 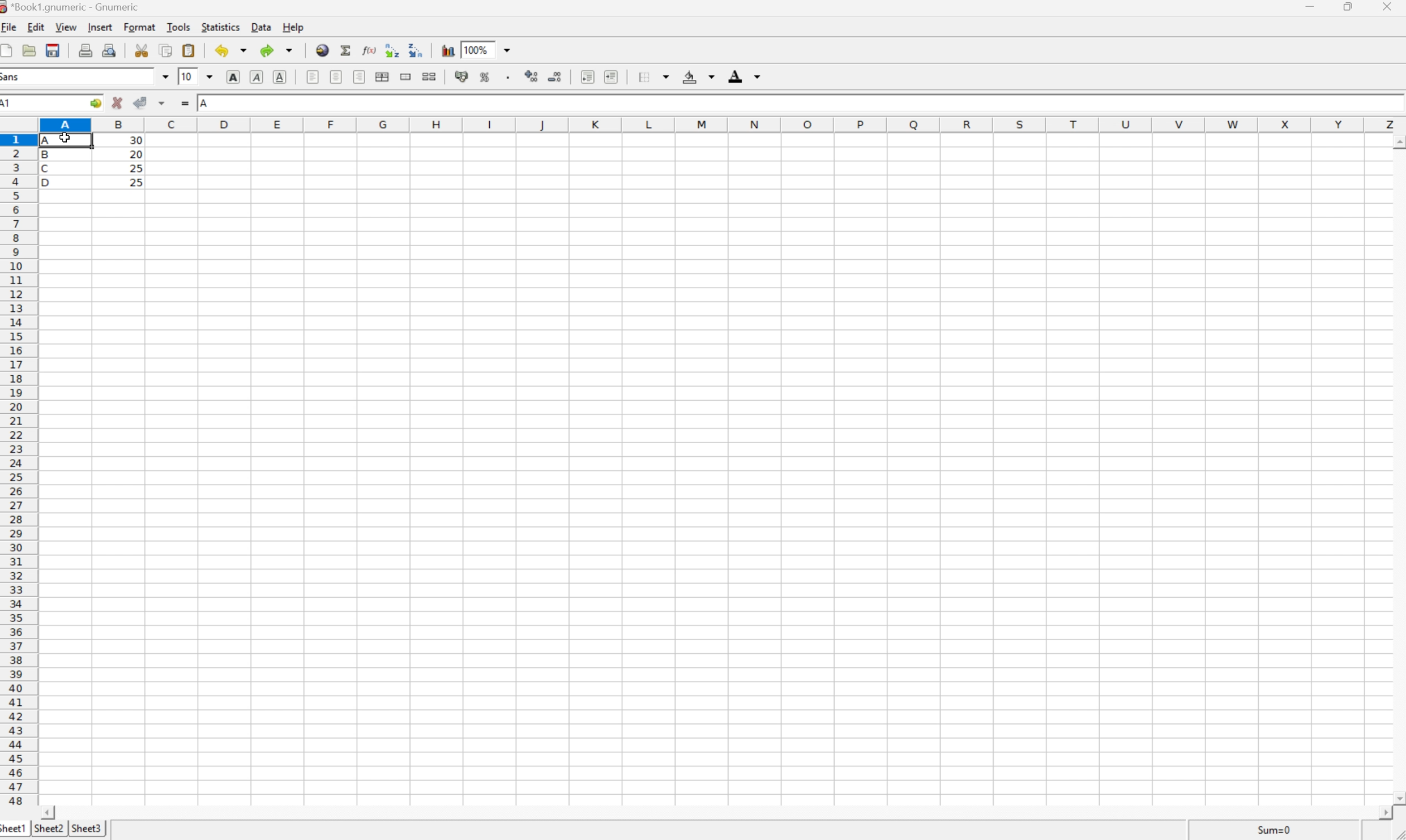 I want to click on Background, so click(x=698, y=78).